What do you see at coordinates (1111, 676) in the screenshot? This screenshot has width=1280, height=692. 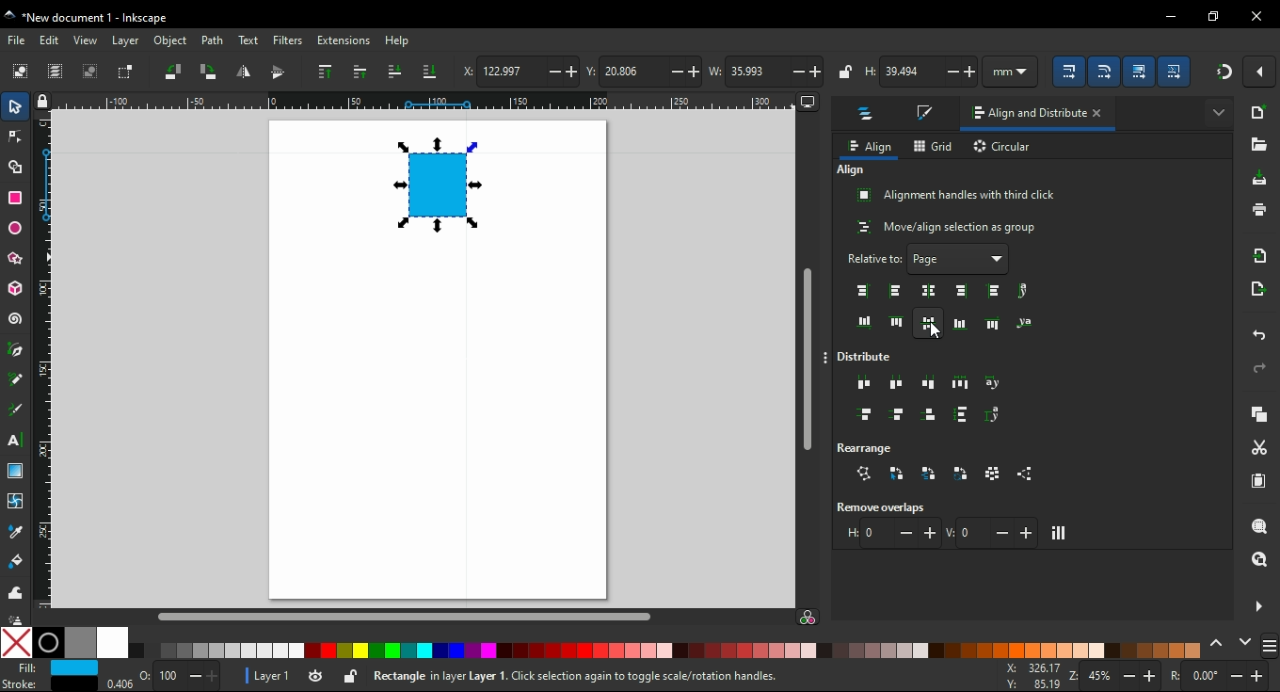 I see `zoom in/zoom out` at bounding box center [1111, 676].